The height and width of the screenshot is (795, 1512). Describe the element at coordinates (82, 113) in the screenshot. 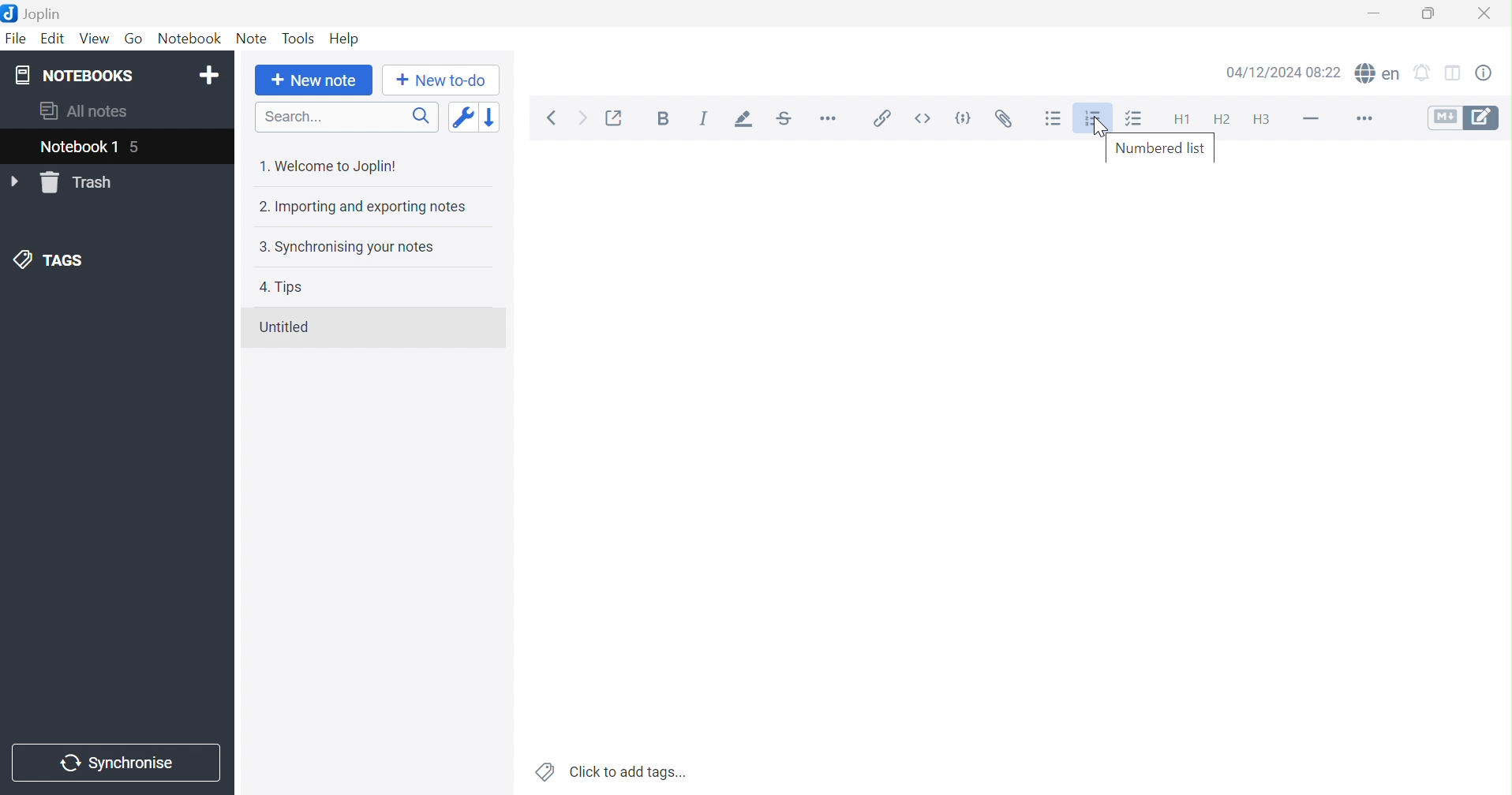

I see `All notes` at that location.